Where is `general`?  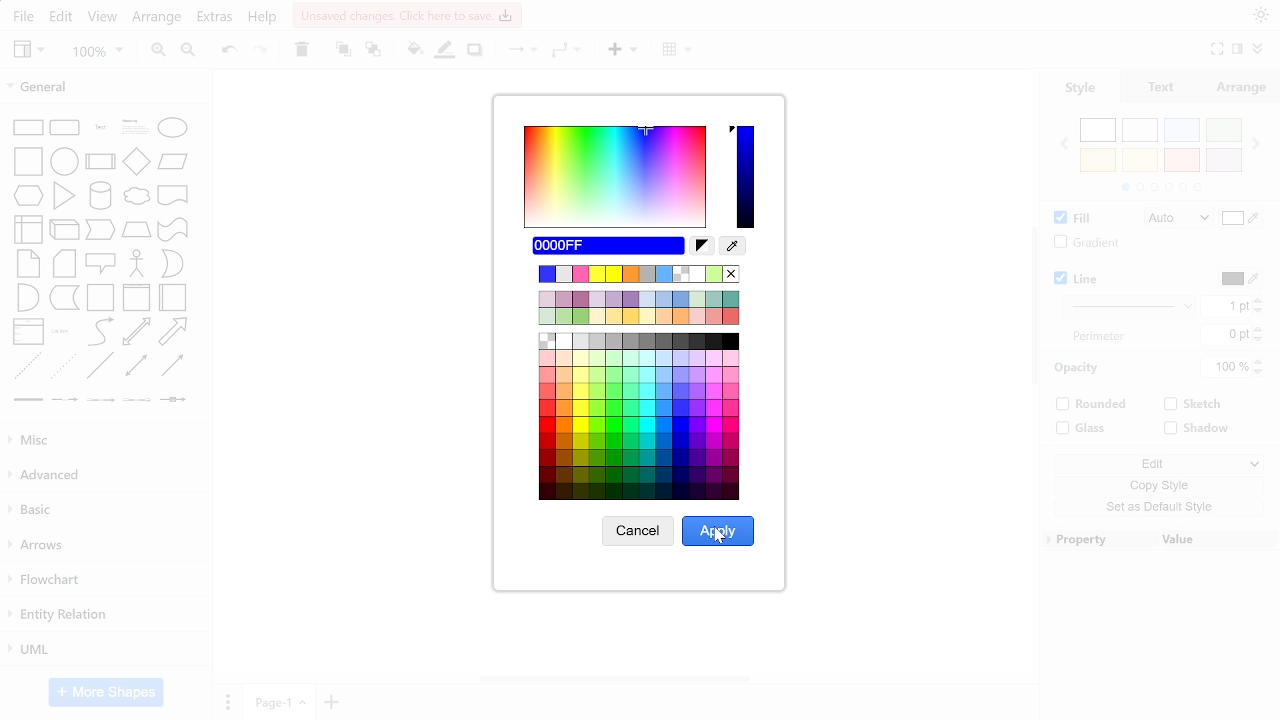 general is located at coordinates (104, 85).